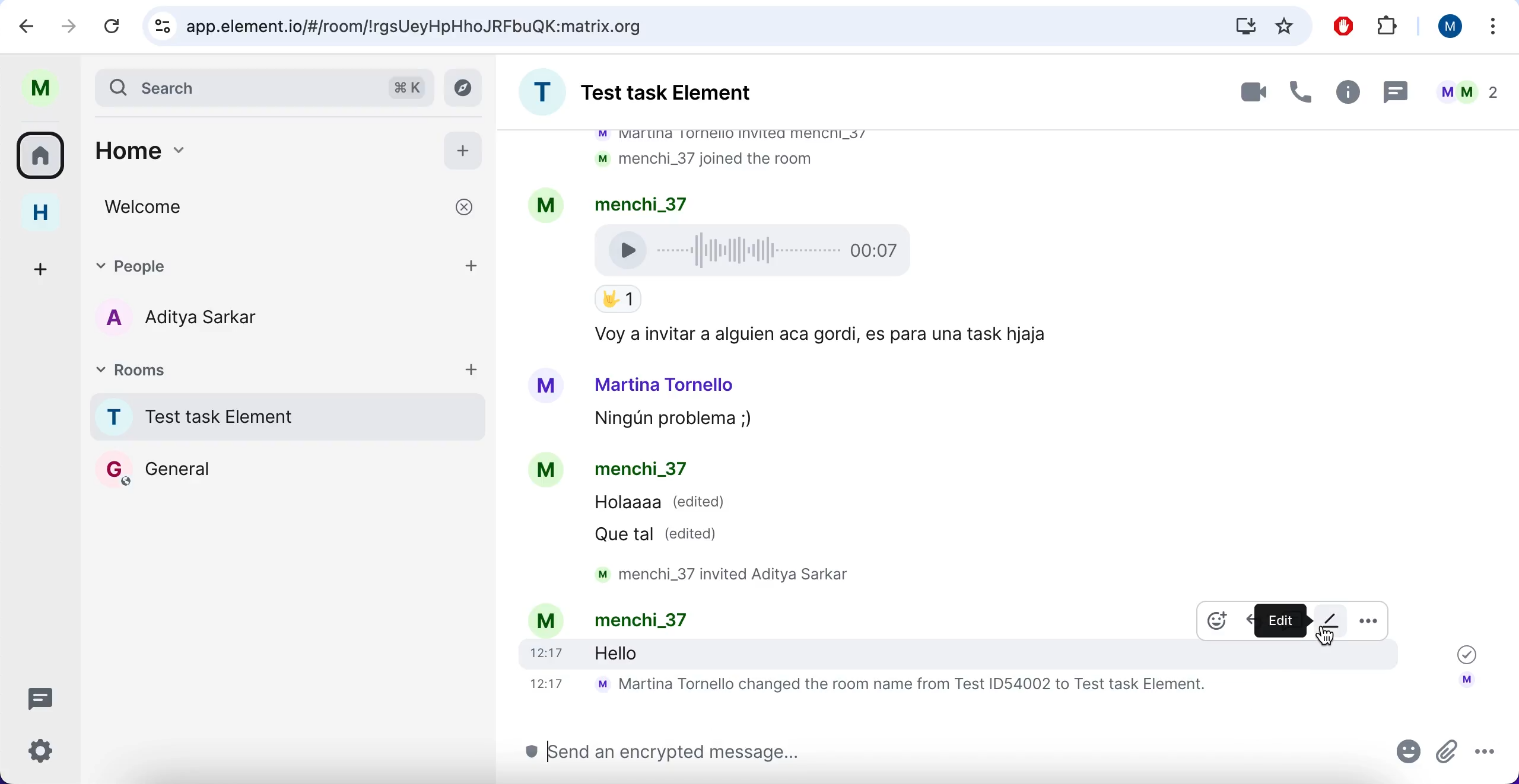  What do you see at coordinates (1448, 27) in the screenshot?
I see `user` at bounding box center [1448, 27].